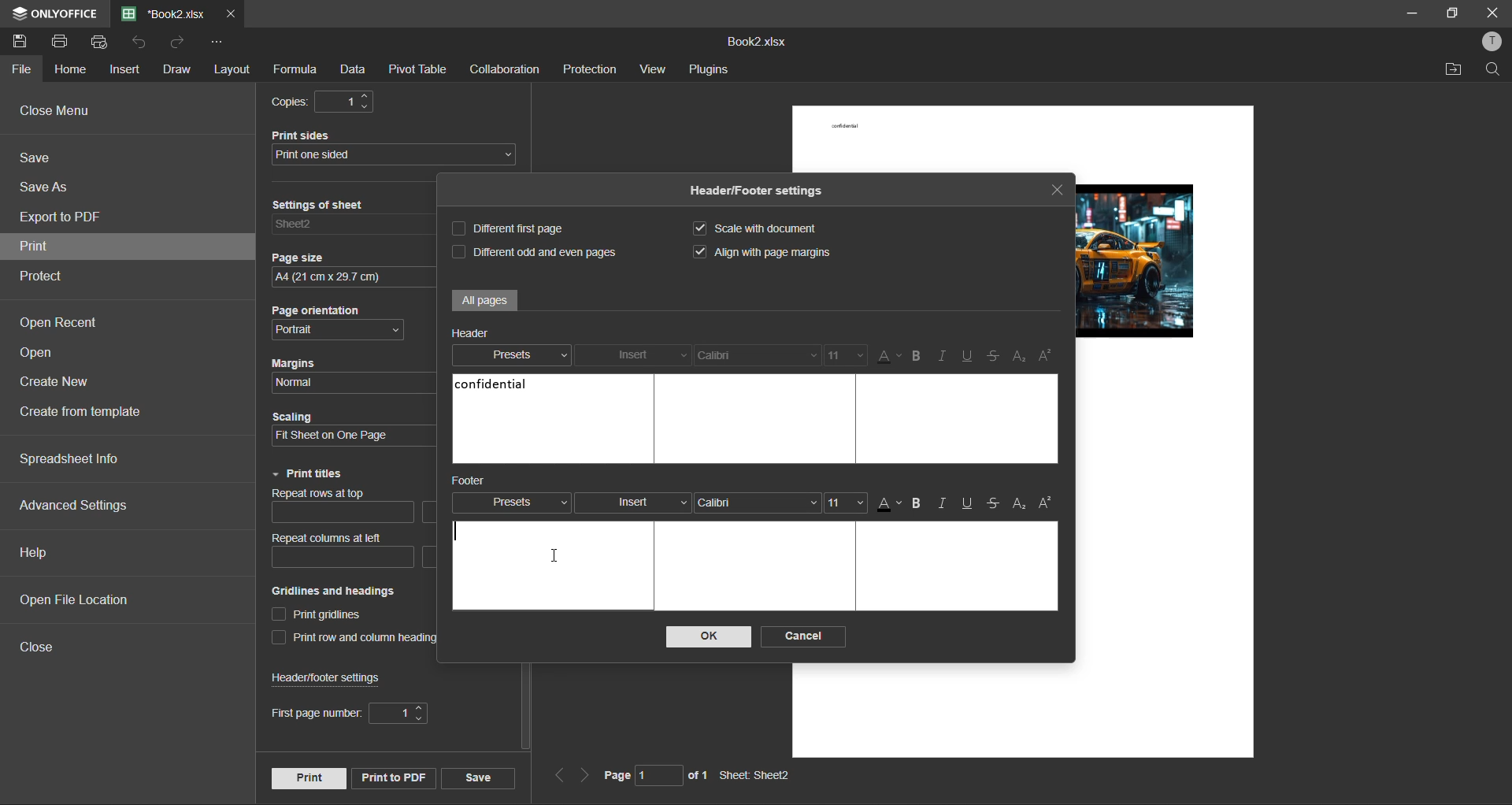 The height and width of the screenshot is (805, 1512). Describe the element at coordinates (183, 43) in the screenshot. I see `redo` at that location.